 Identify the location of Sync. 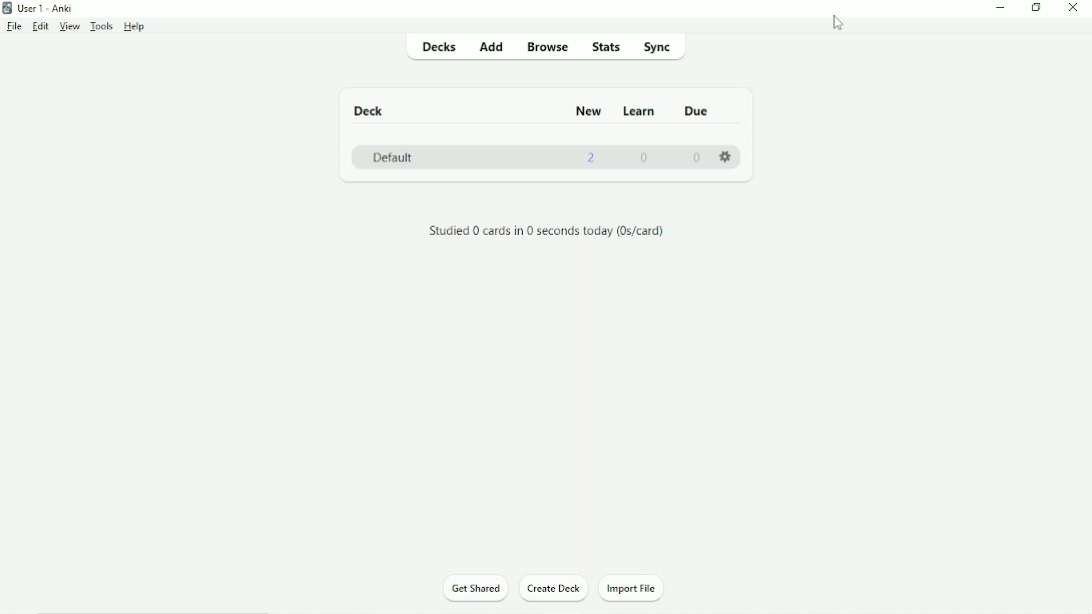
(662, 47).